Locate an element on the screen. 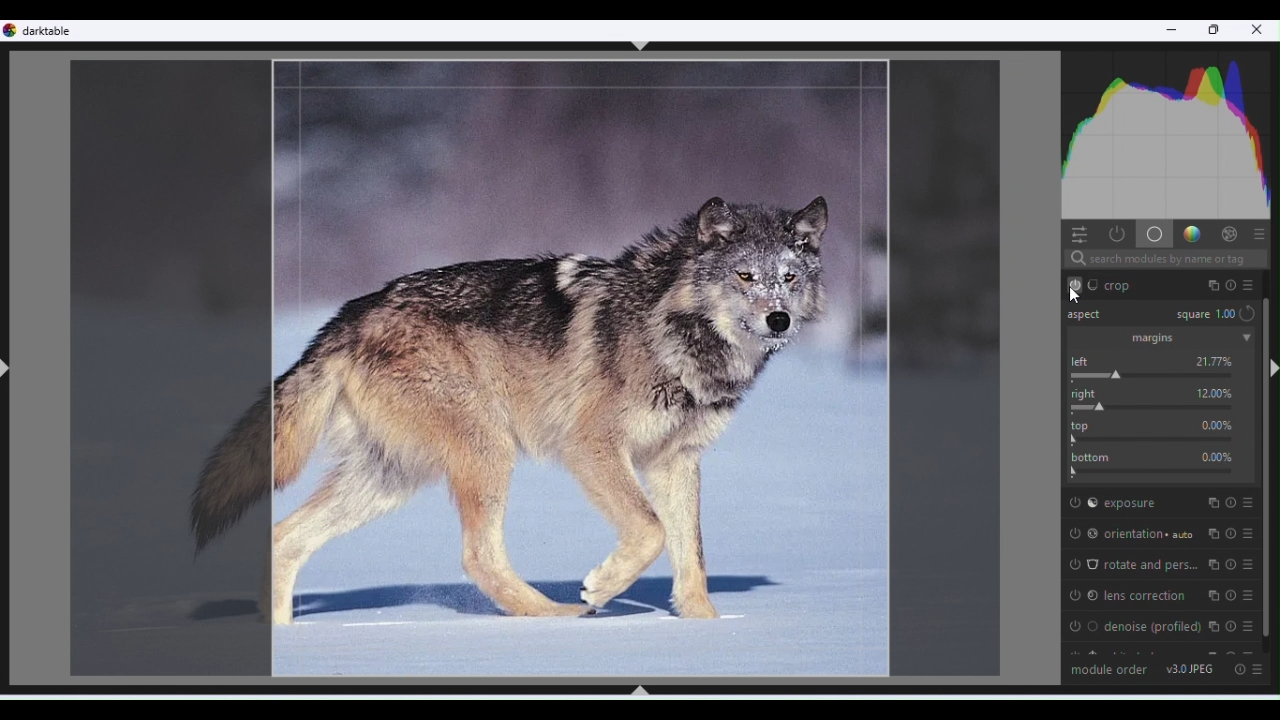  Gradient is located at coordinates (1190, 232).